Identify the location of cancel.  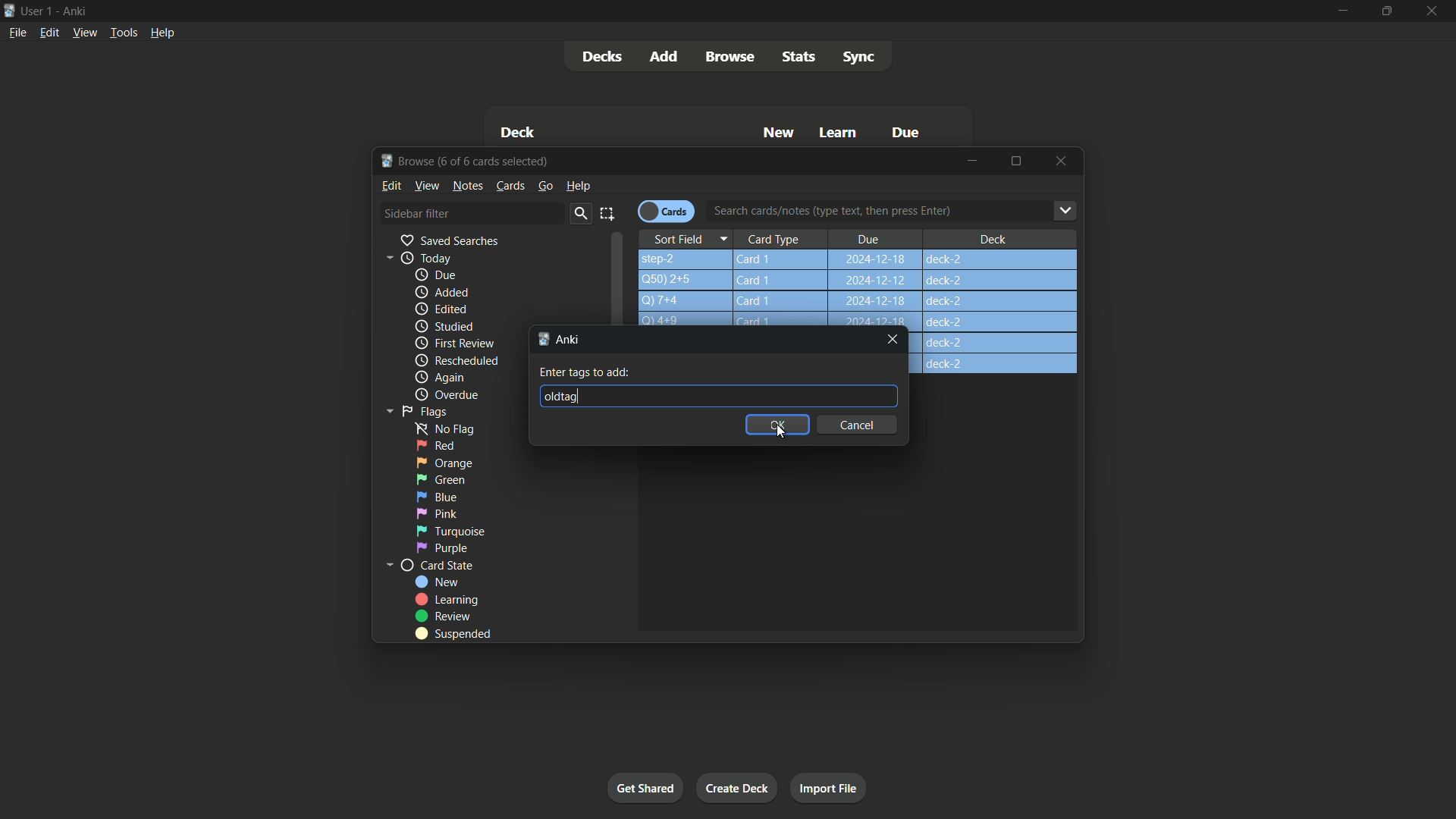
(861, 425).